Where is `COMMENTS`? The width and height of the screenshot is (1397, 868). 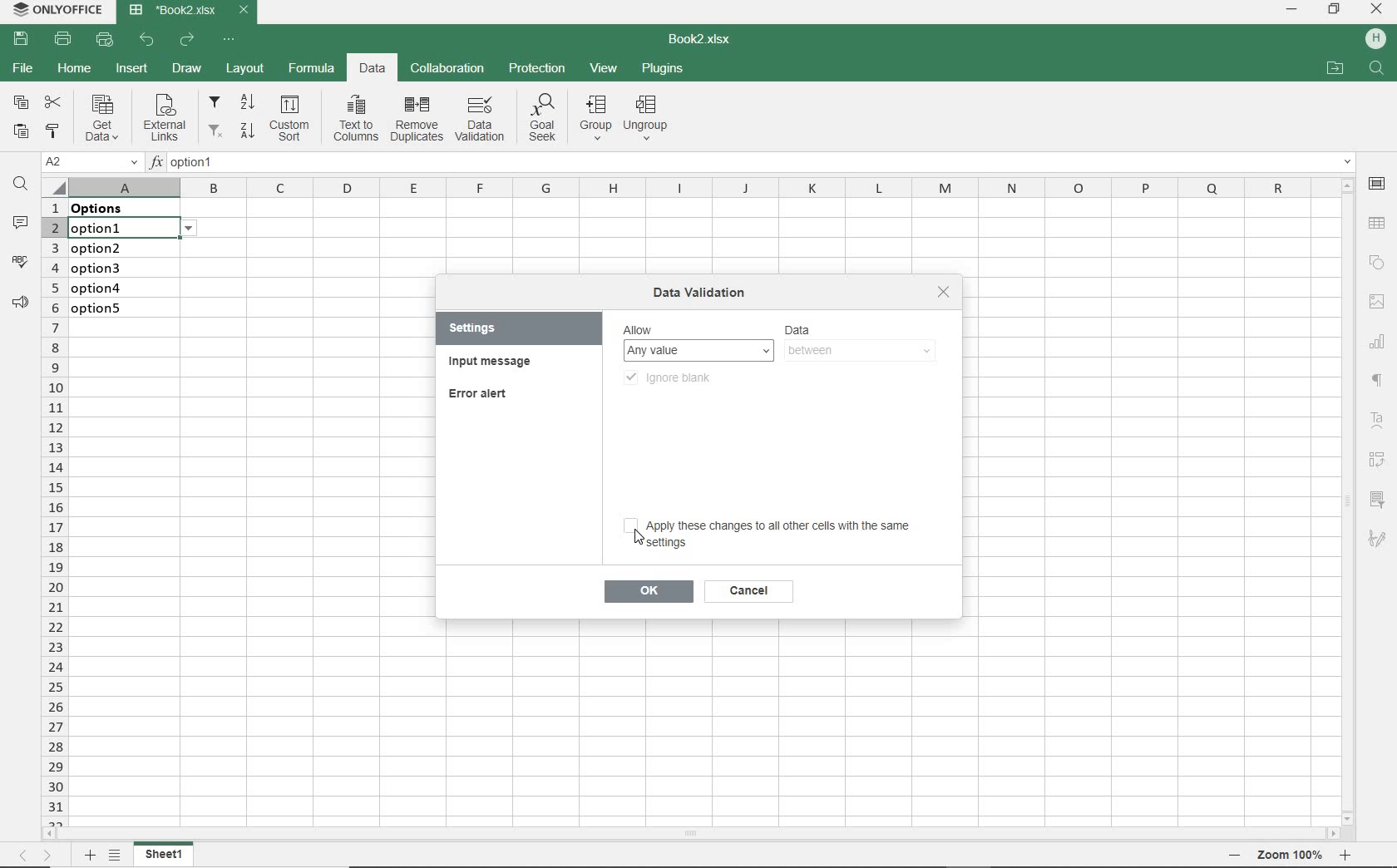 COMMENTS is located at coordinates (21, 223).